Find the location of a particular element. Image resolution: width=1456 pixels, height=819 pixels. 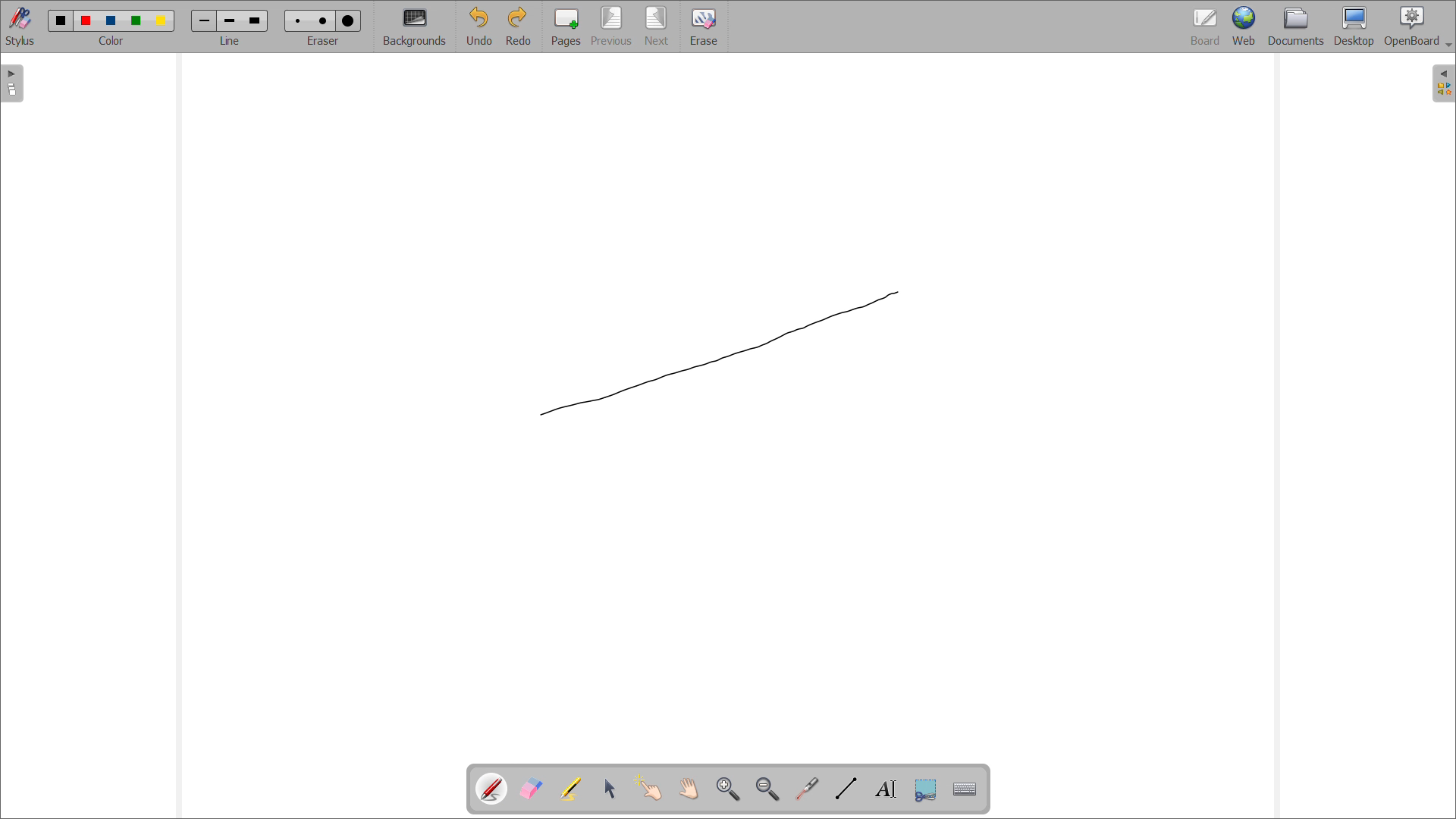

line width size is located at coordinates (255, 20).